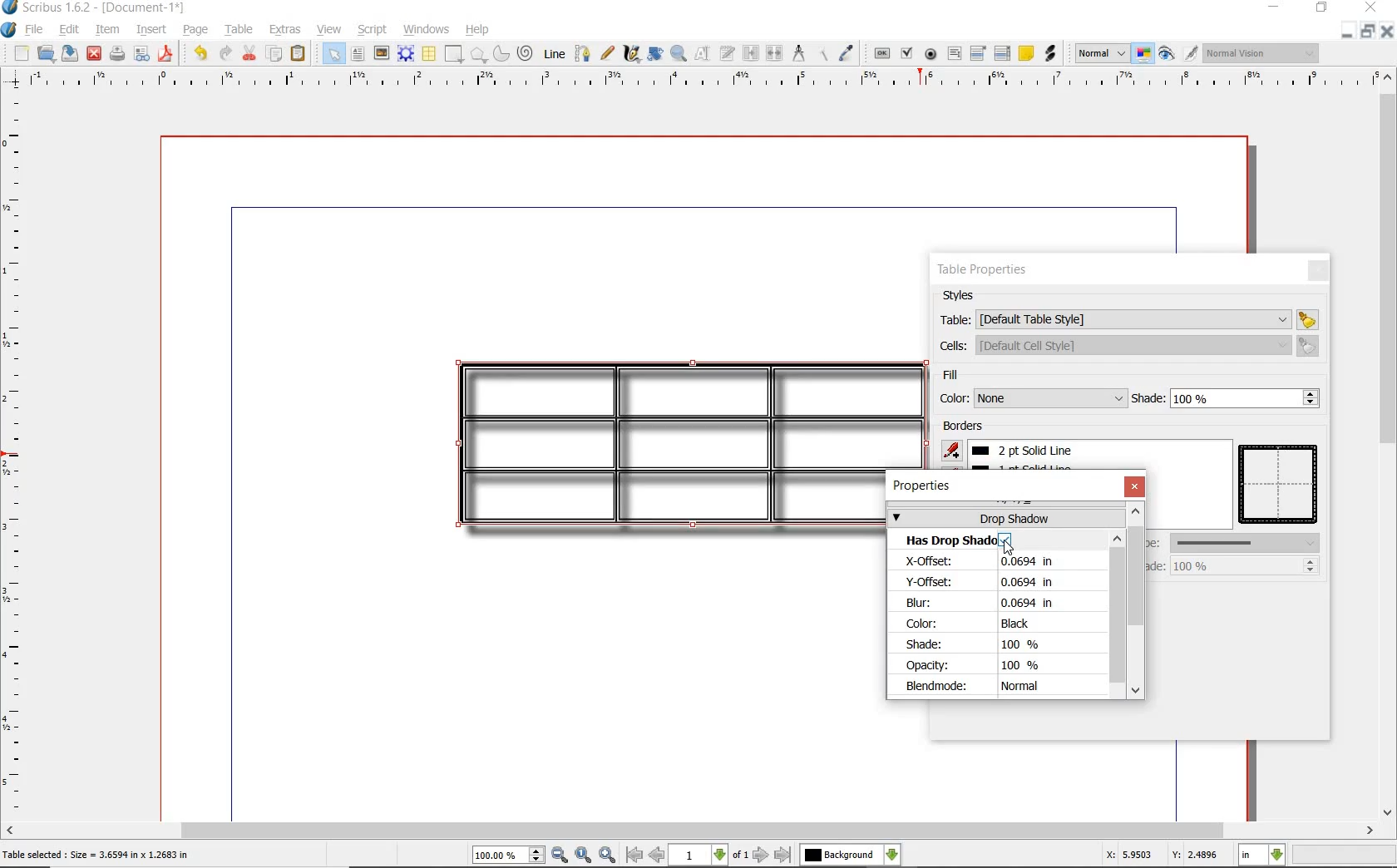  Describe the element at coordinates (1119, 614) in the screenshot. I see `scrollbar` at that location.